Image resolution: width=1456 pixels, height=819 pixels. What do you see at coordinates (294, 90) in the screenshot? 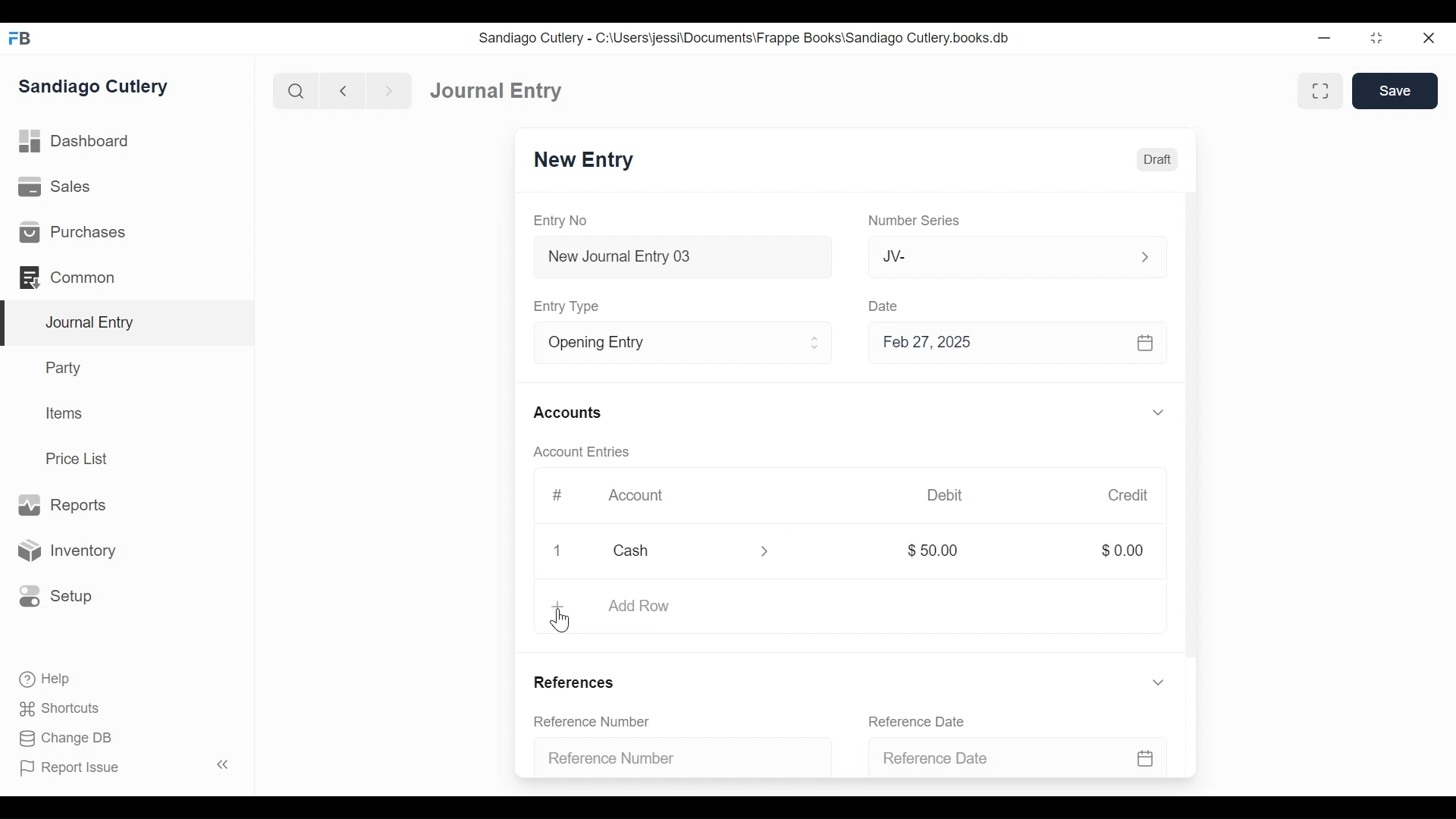
I see `Search` at bounding box center [294, 90].